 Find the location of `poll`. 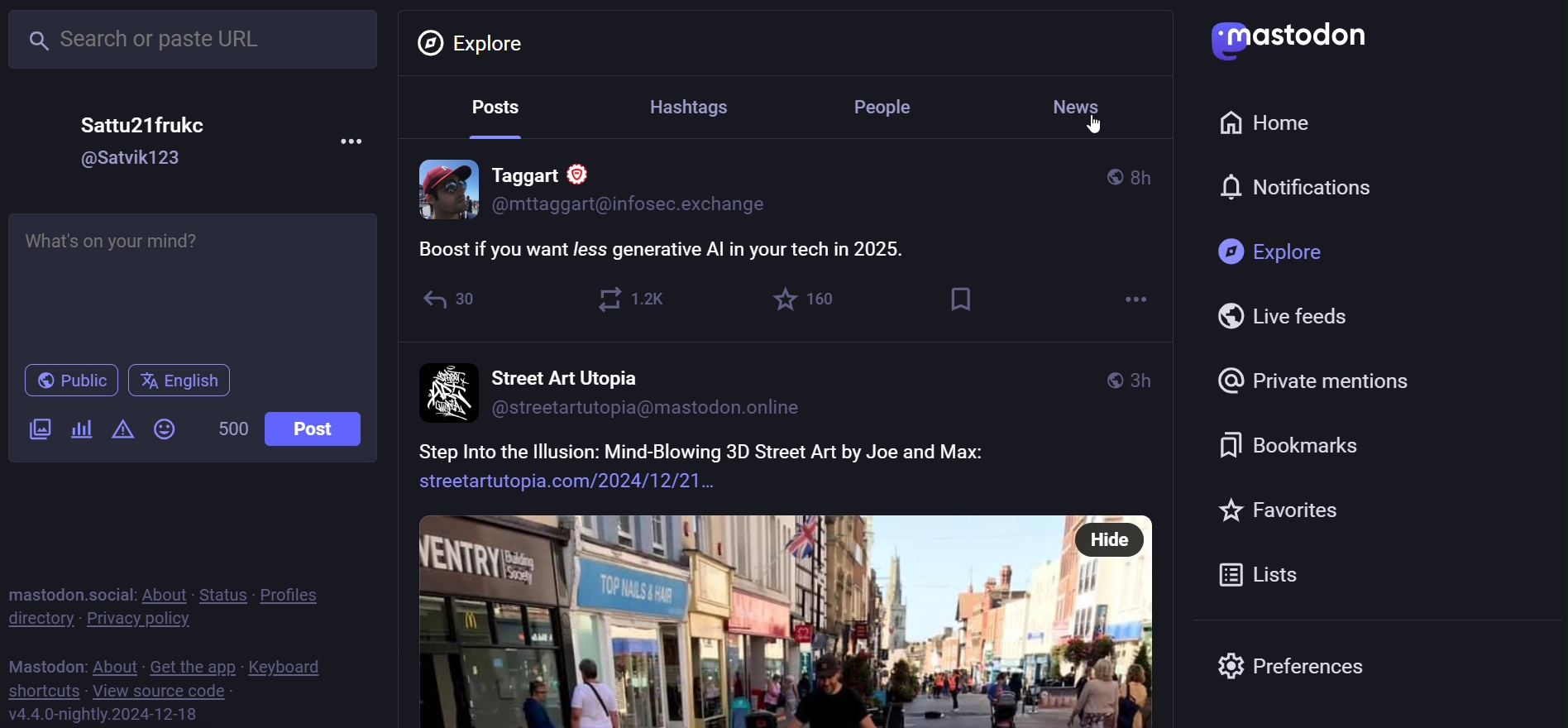

poll is located at coordinates (80, 432).